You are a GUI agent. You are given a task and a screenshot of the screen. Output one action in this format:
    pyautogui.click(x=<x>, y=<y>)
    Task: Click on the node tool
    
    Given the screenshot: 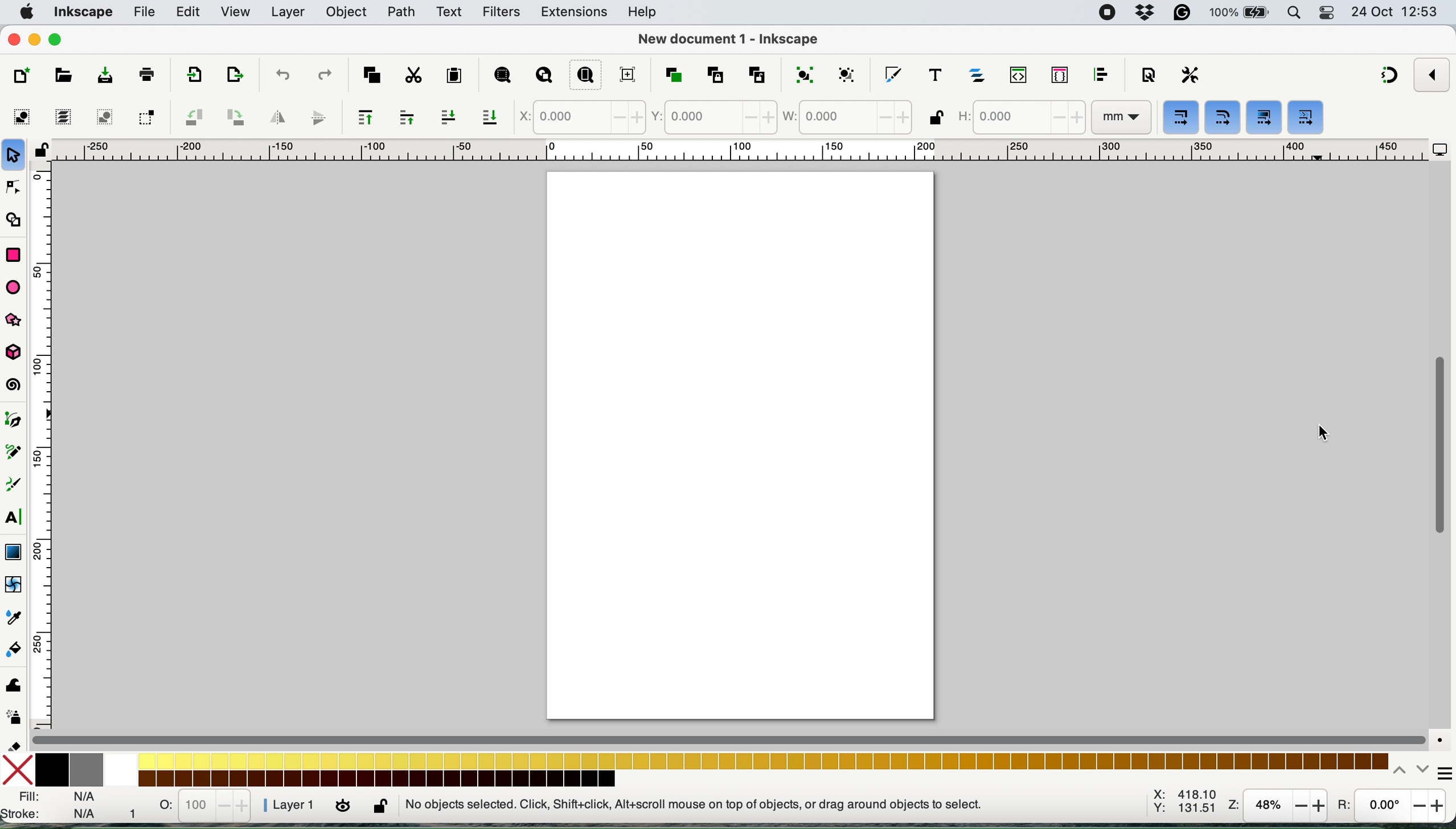 What is the action you would take?
    pyautogui.click(x=16, y=186)
    